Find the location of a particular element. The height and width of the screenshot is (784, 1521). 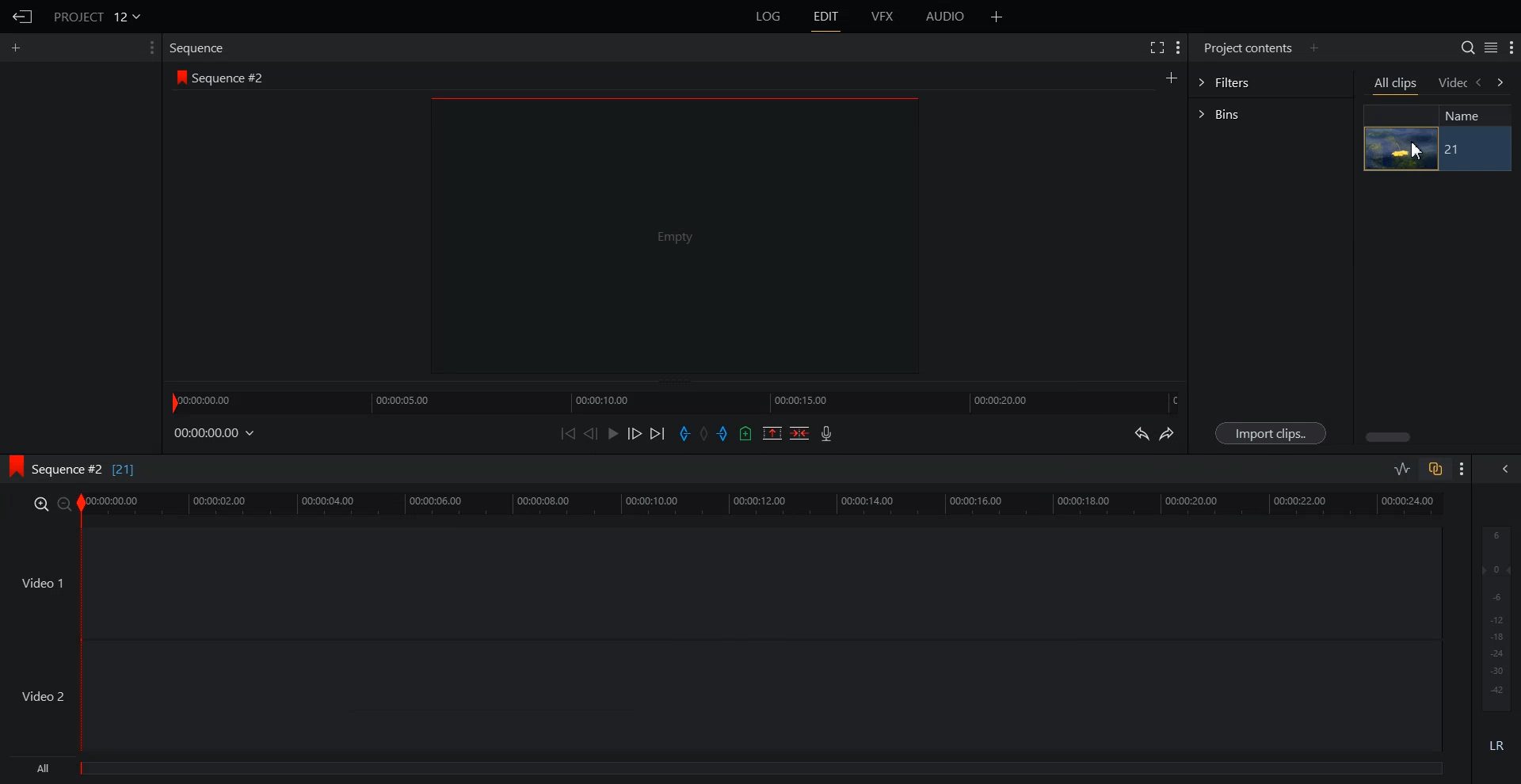

LOG is located at coordinates (769, 17).